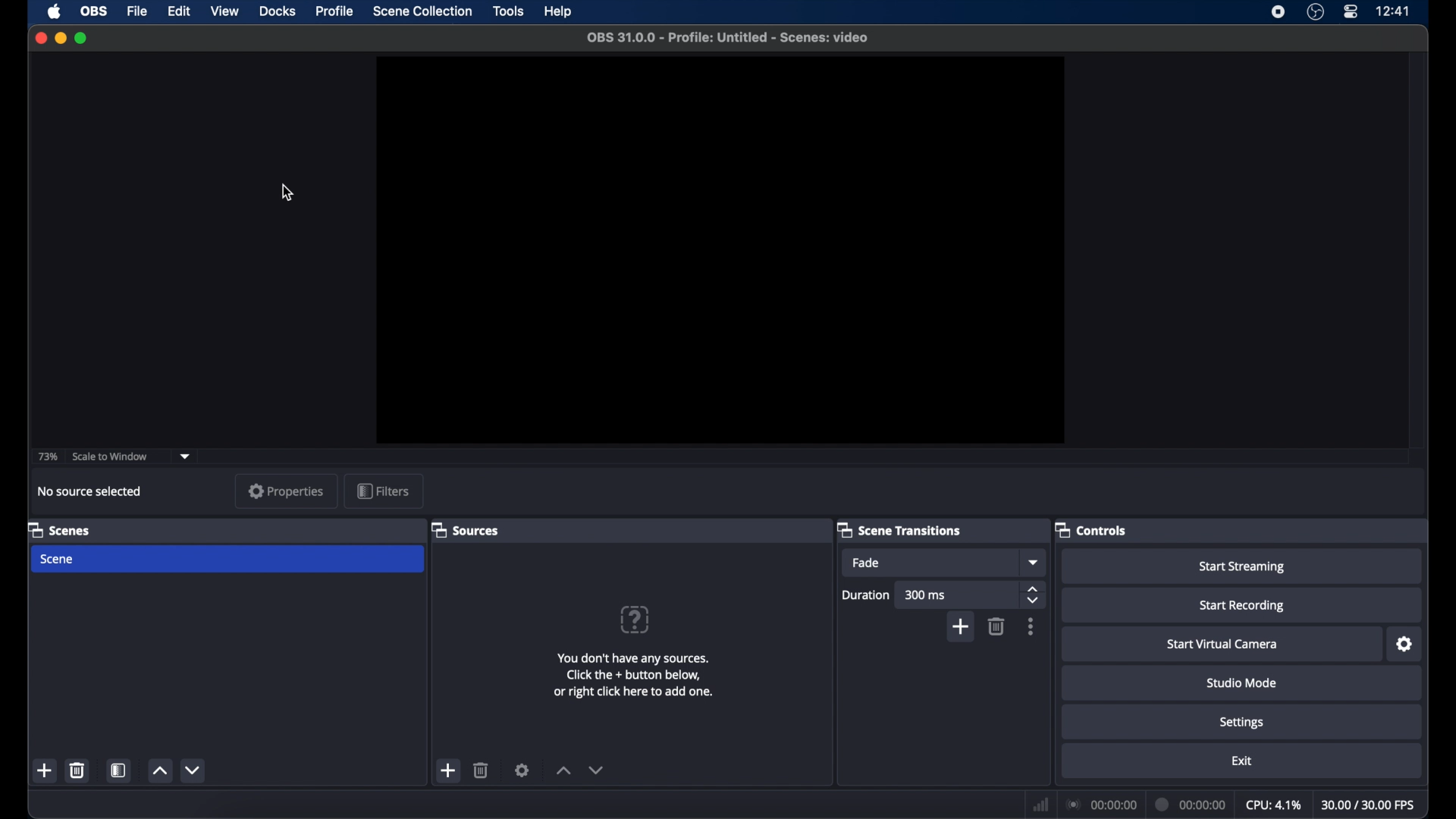 Image resolution: width=1456 pixels, height=819 pixels. Describe the element at coordinates (186, 457) in the screenshot. I see `dropdown` at that location.